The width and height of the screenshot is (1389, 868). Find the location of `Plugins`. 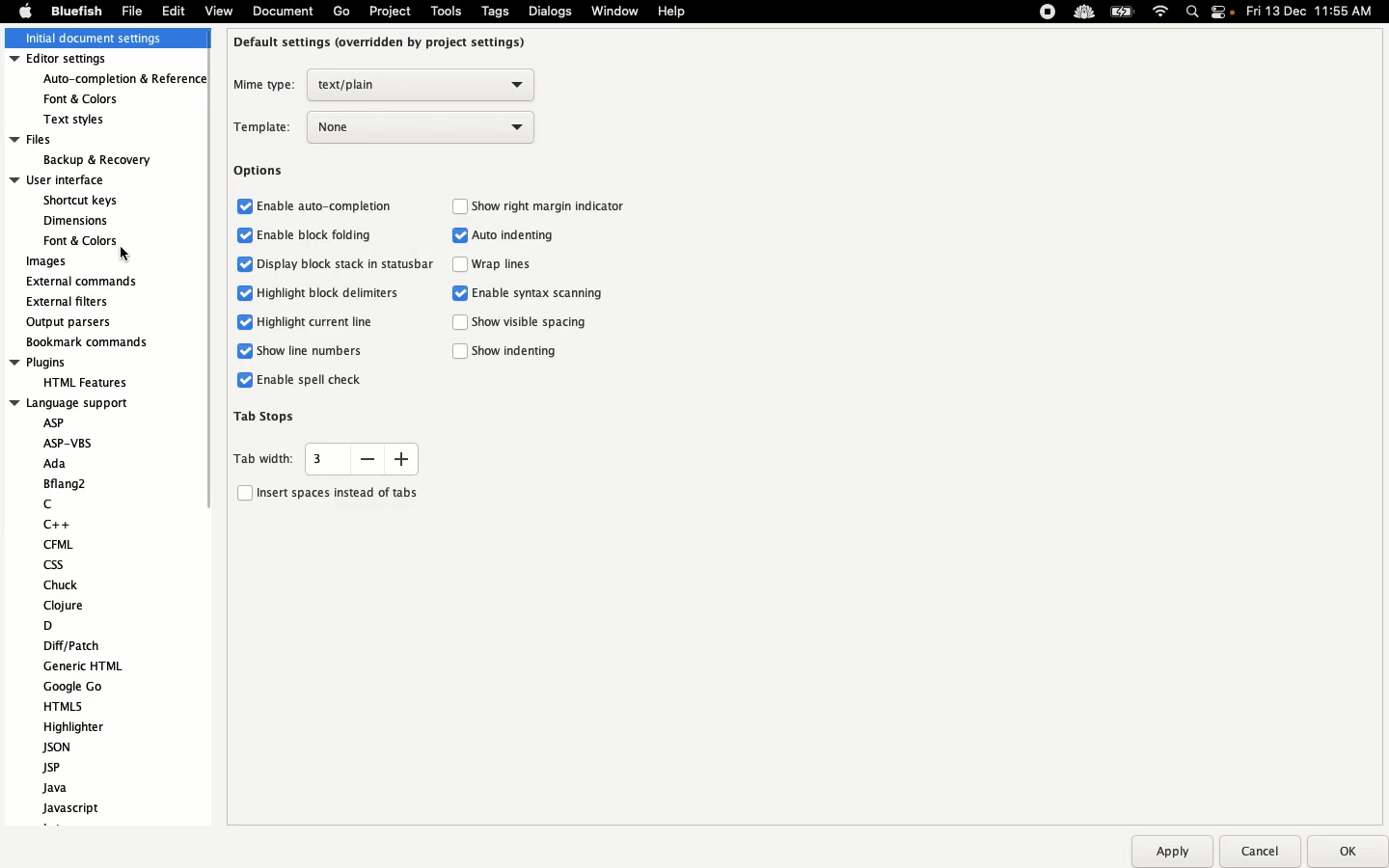

Plugins is located at coordinates (71, 363).